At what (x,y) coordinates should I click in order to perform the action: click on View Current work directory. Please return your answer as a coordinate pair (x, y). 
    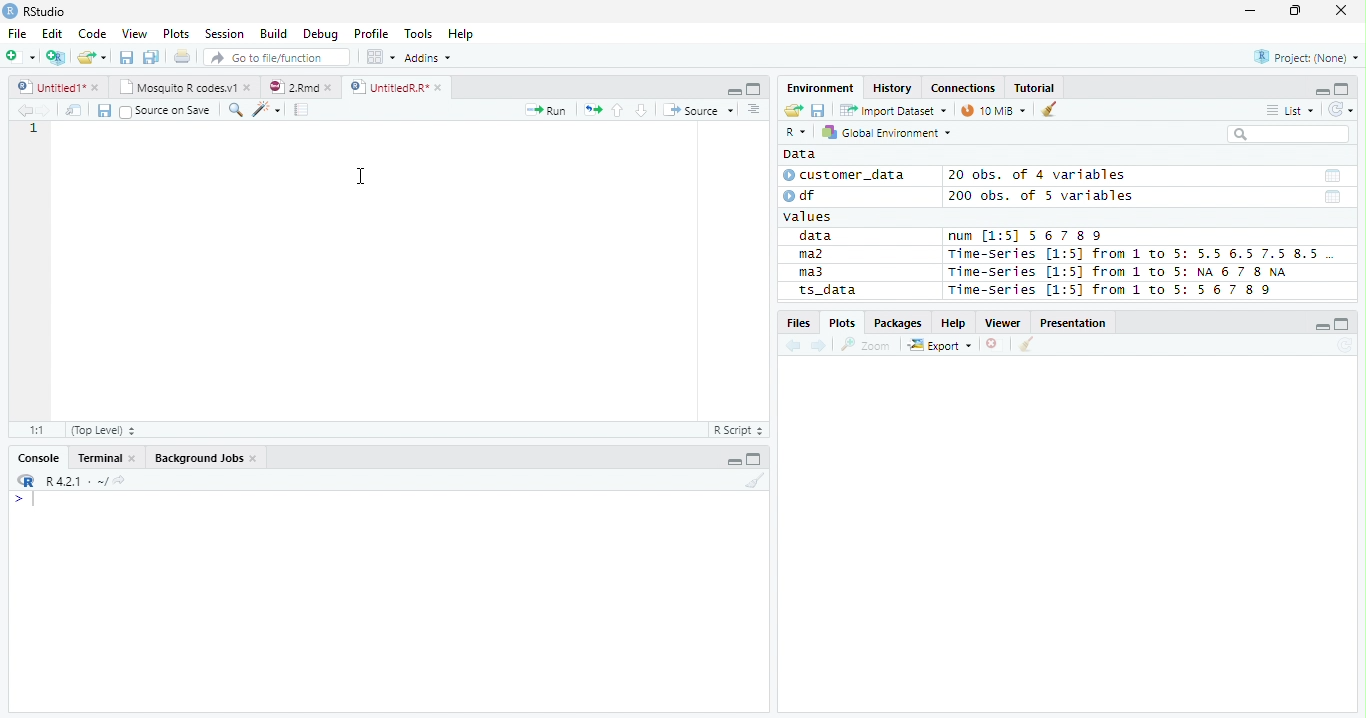
    Looking at the image, I should click on (121, 480).